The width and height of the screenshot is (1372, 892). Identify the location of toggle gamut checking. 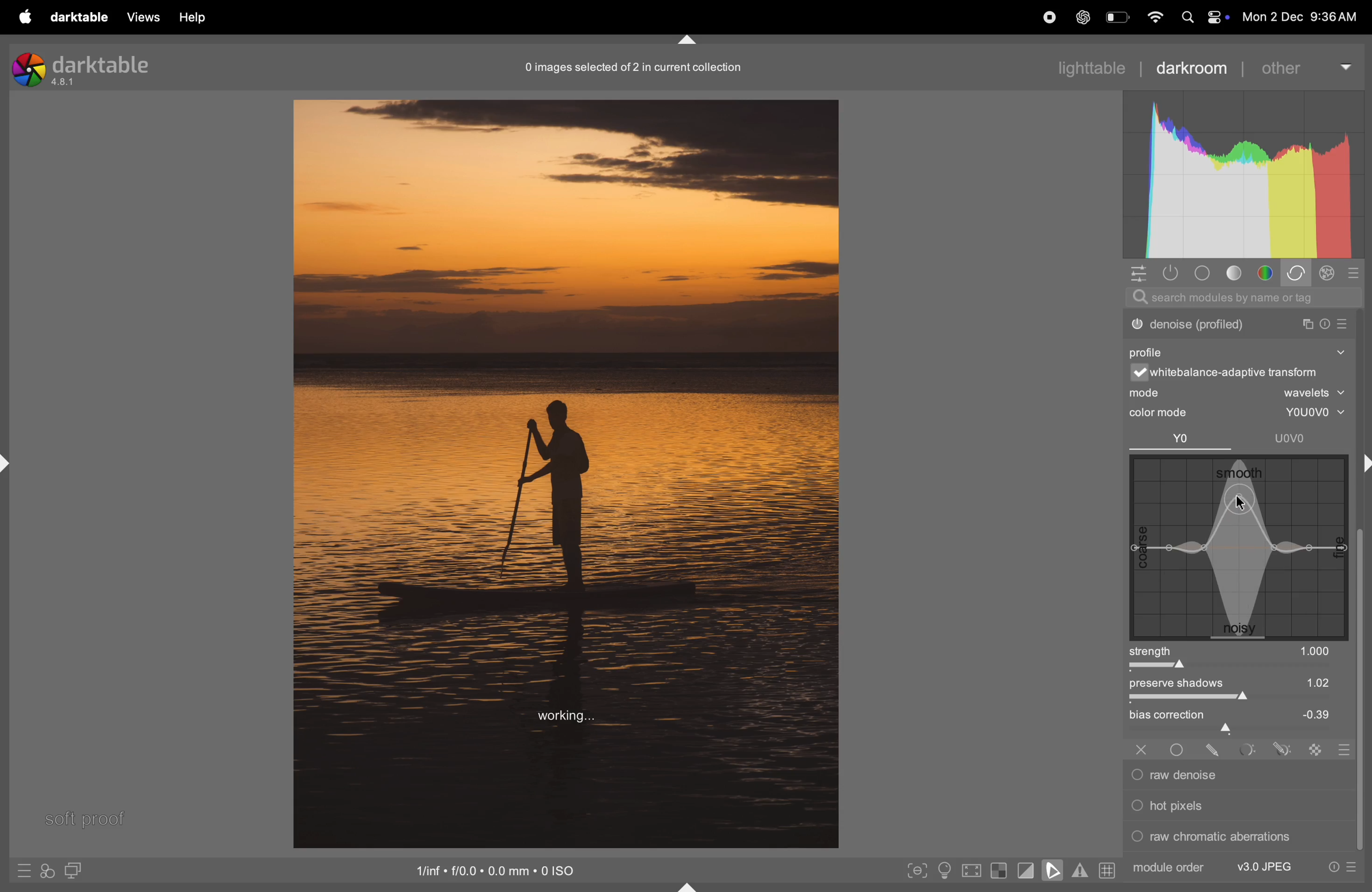
(1079, 872).